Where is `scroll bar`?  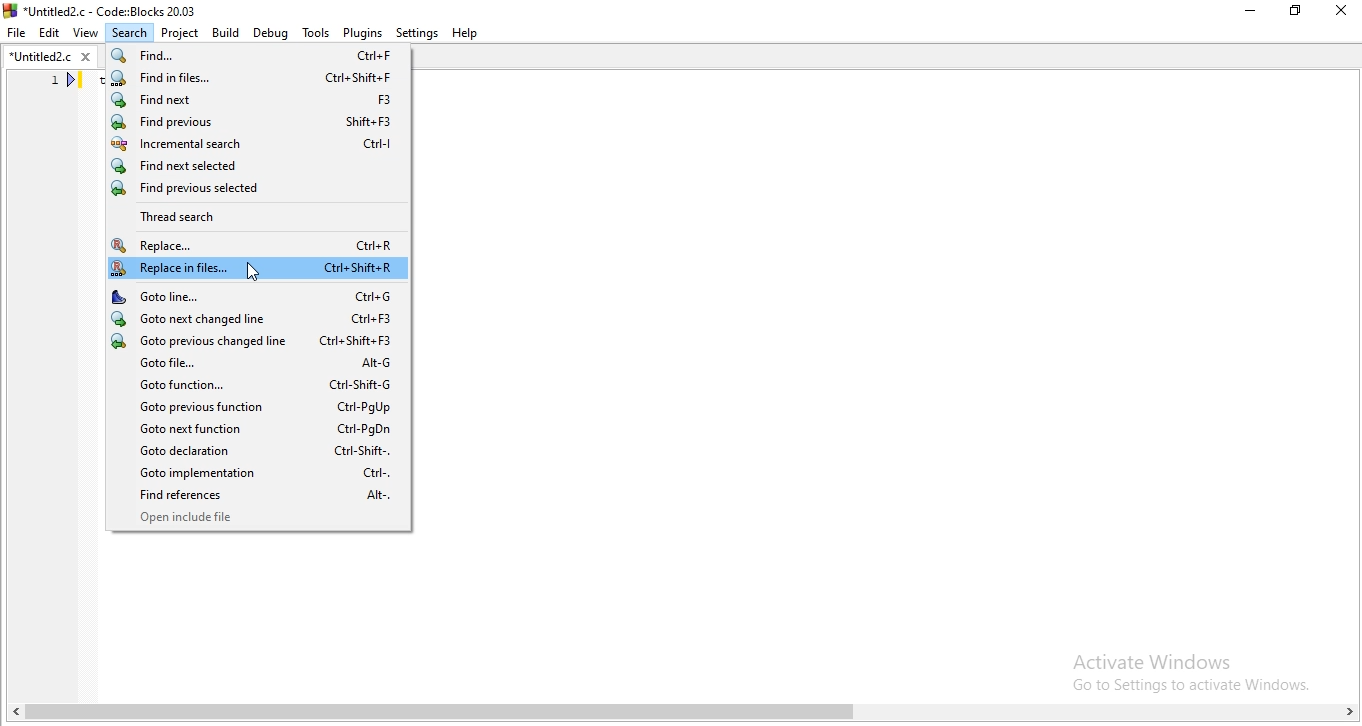 scroll bar is located at coordinates (681, 714).